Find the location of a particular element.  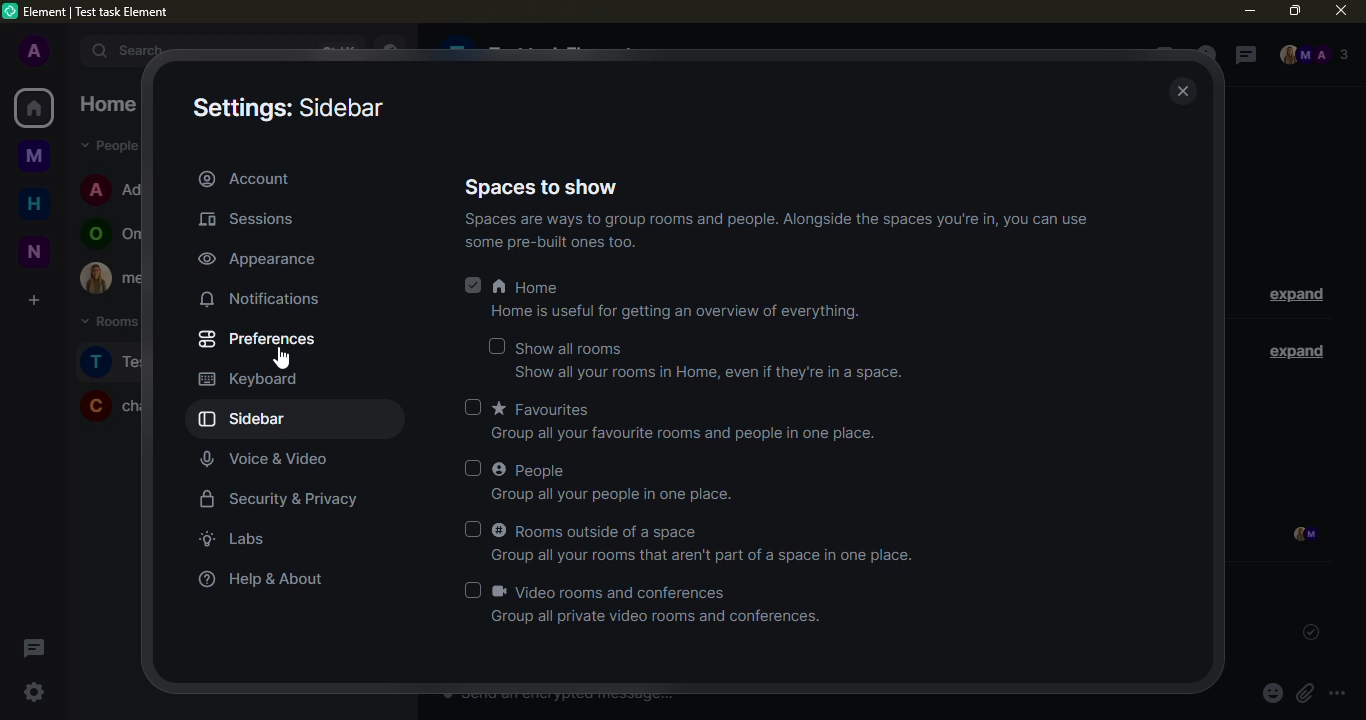

threads is located at coordinates (32, 647).